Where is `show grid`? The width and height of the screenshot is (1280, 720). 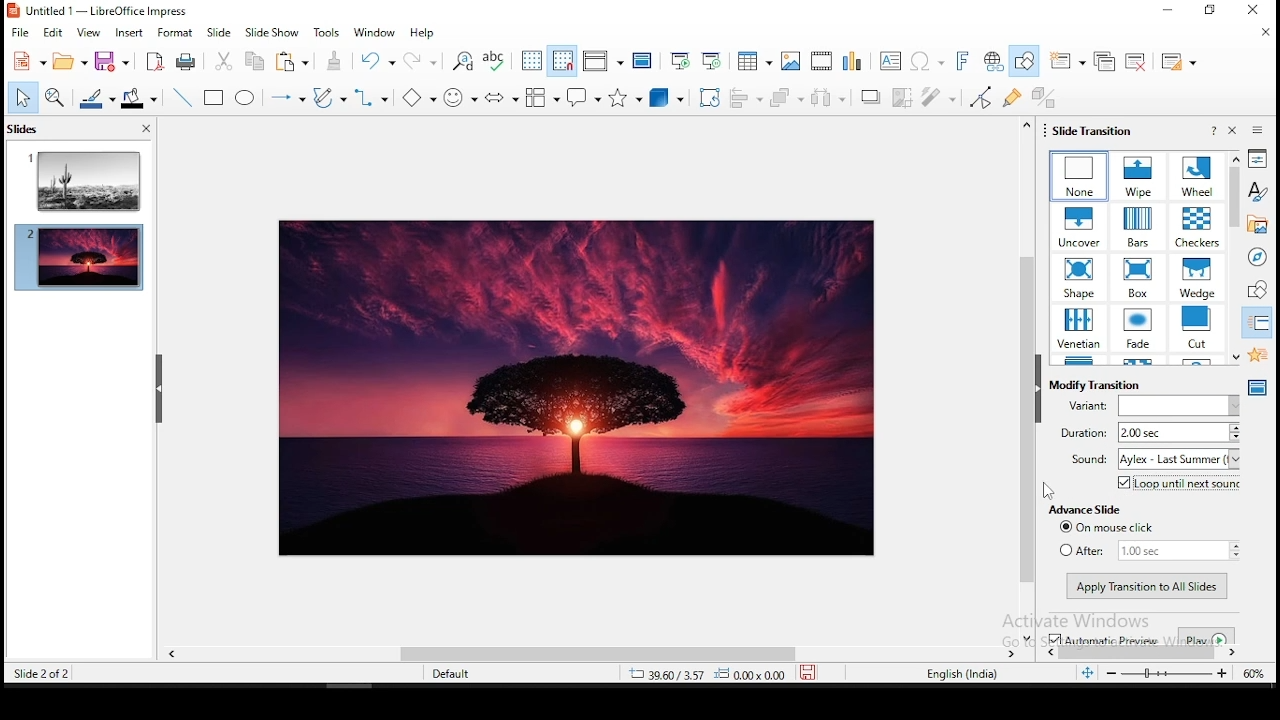 show grid is located at coordinates (531, 63).